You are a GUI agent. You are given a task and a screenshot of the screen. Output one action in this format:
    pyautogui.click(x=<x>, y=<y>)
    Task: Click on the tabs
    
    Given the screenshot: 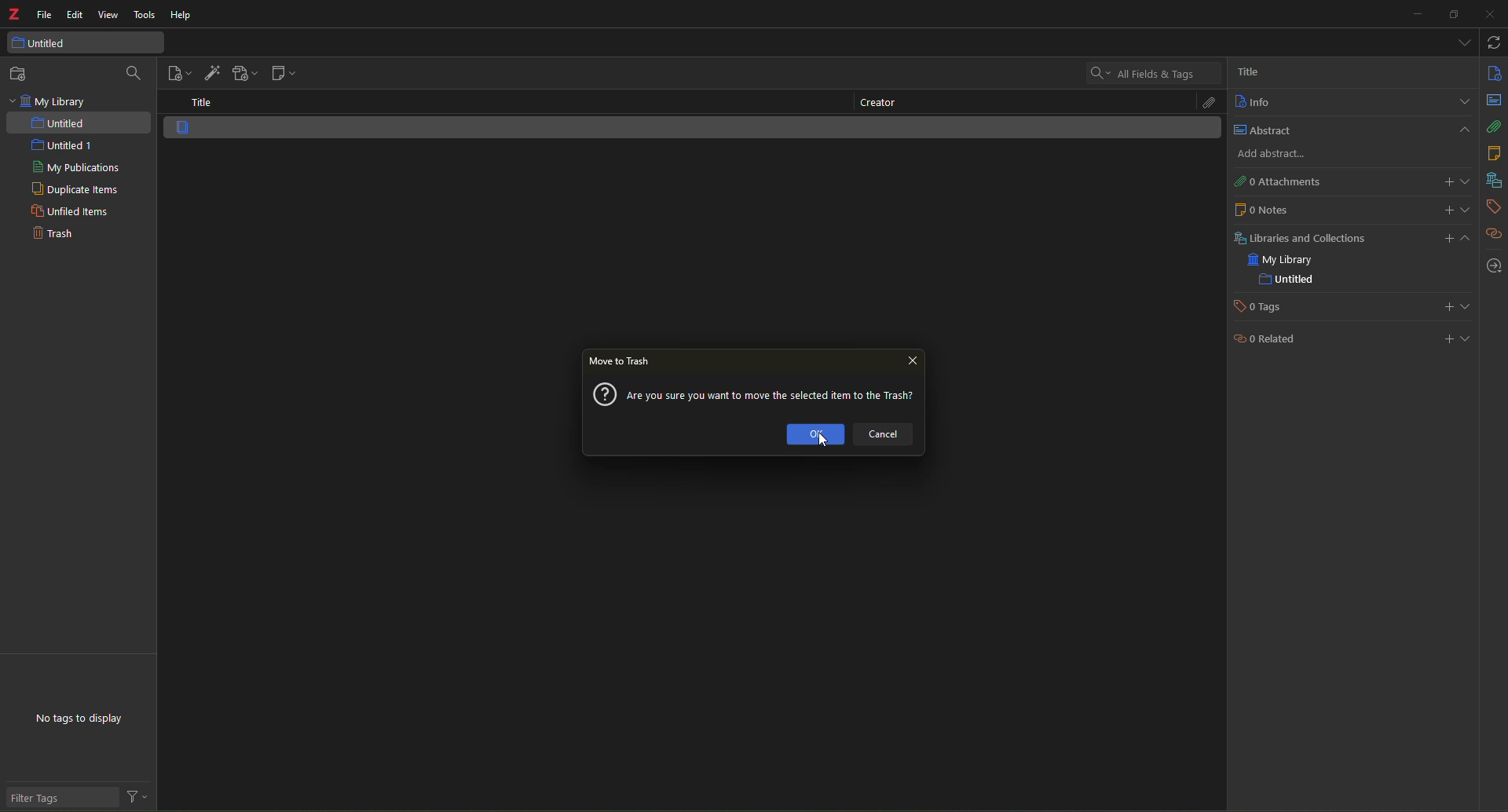 What is the action you would take?
    pyautogui.click(x=1462, y=41)
    